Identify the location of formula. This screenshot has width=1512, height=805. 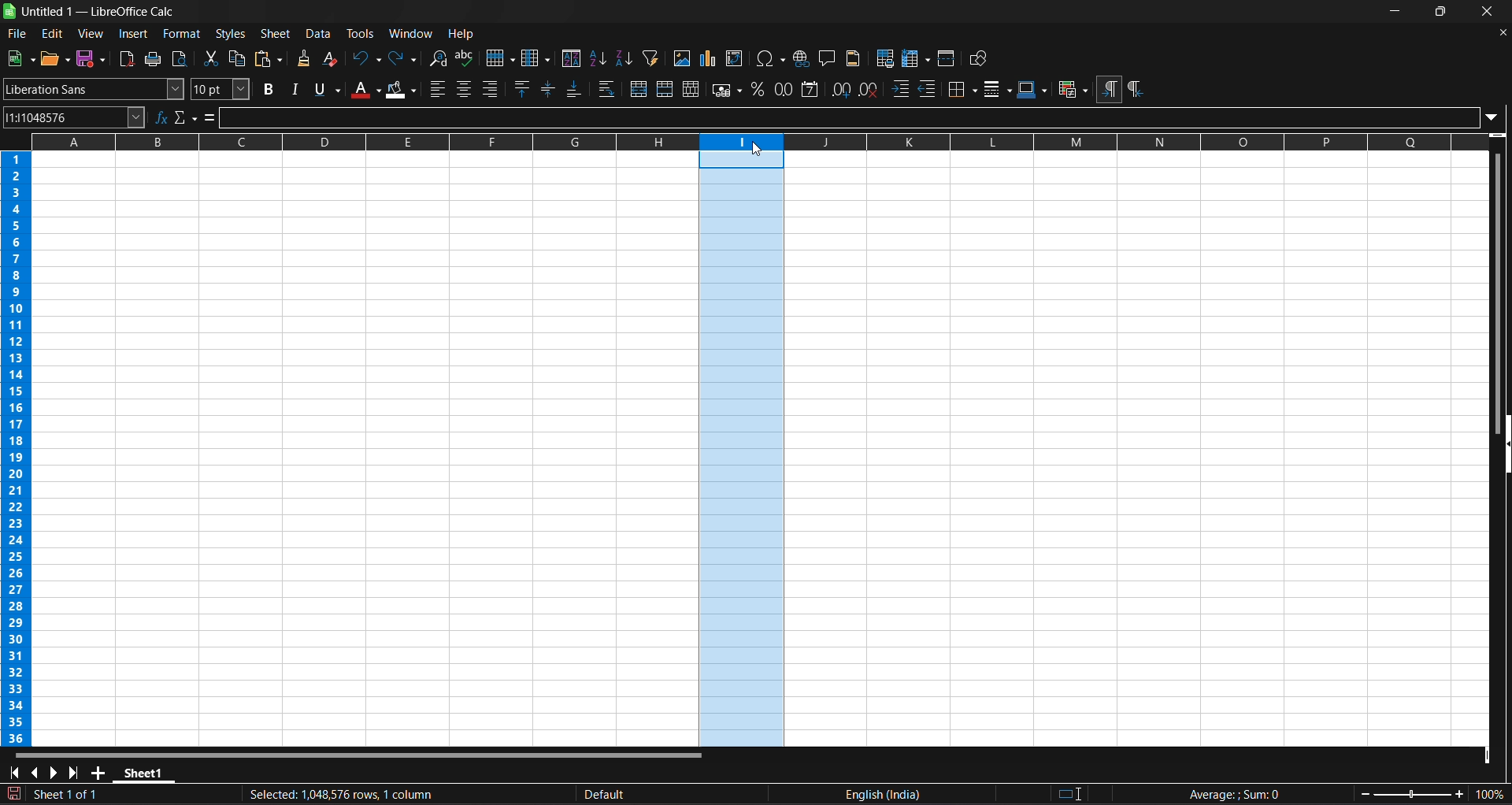
(212, 117).